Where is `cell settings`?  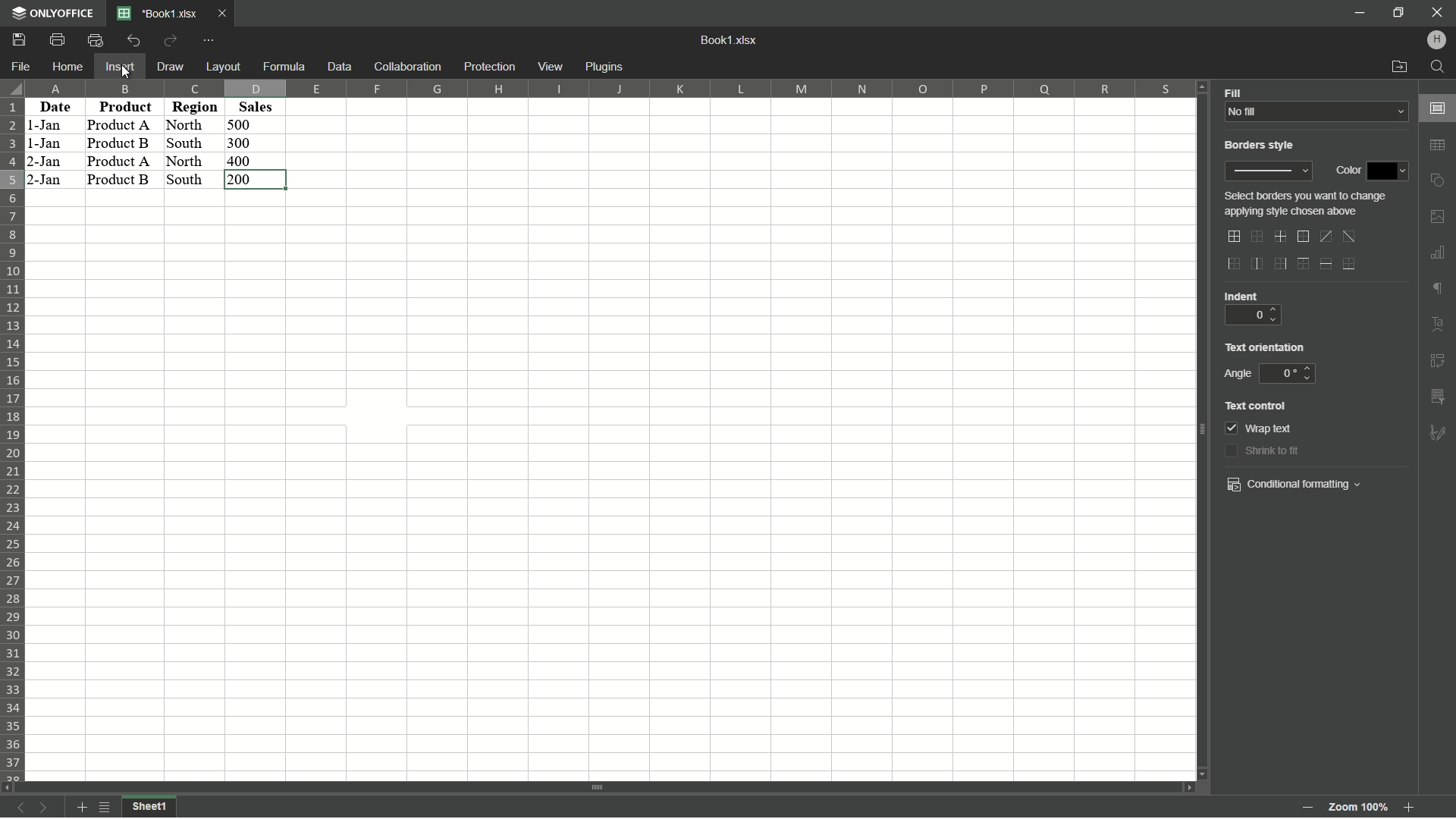
cell settings is located at coordinates (1436, 108).